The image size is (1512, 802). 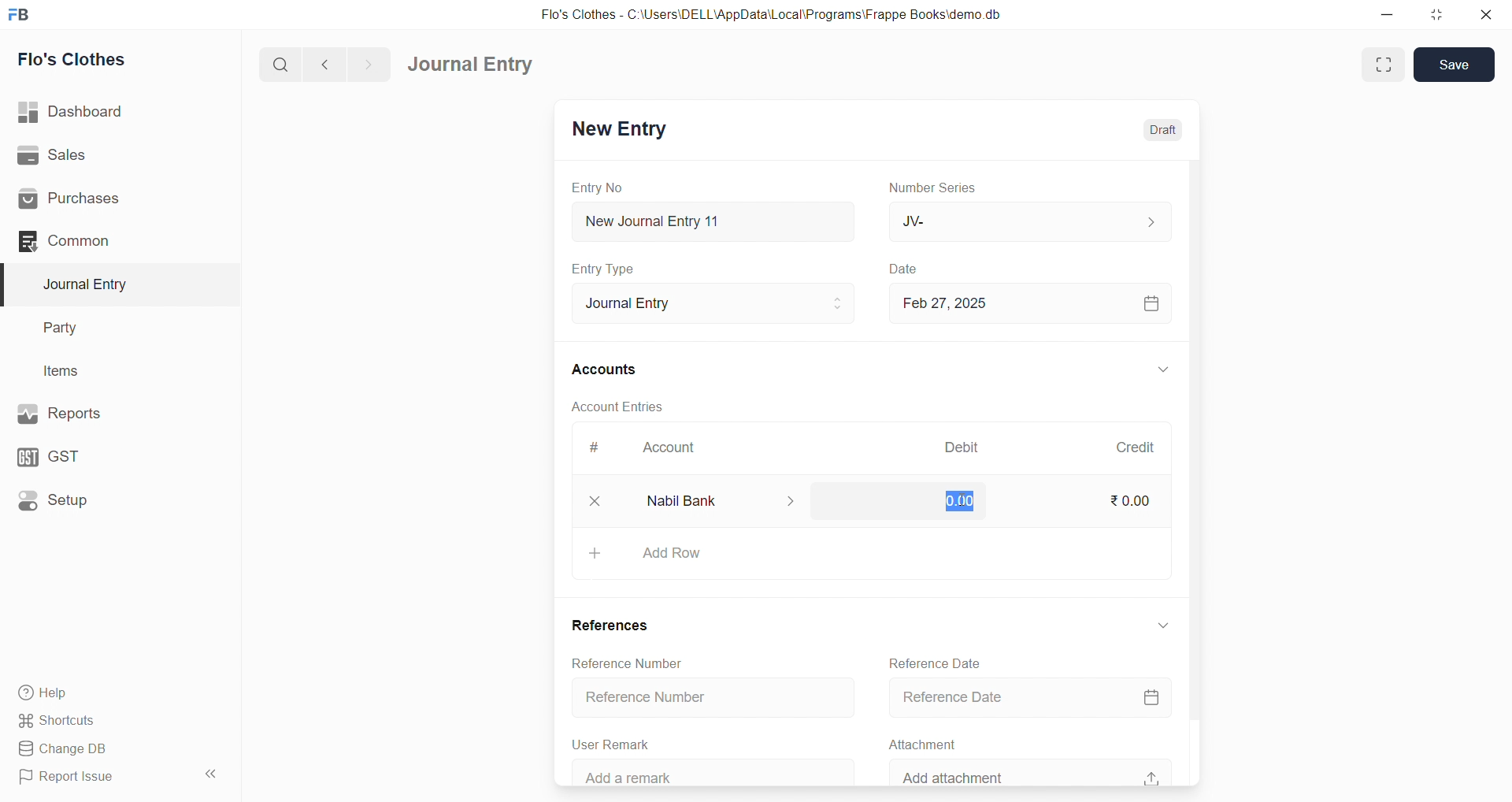 What do you see at coordinates (959, 503) in the screenshot?
I see `0.00` at bounding box center [959, 503].